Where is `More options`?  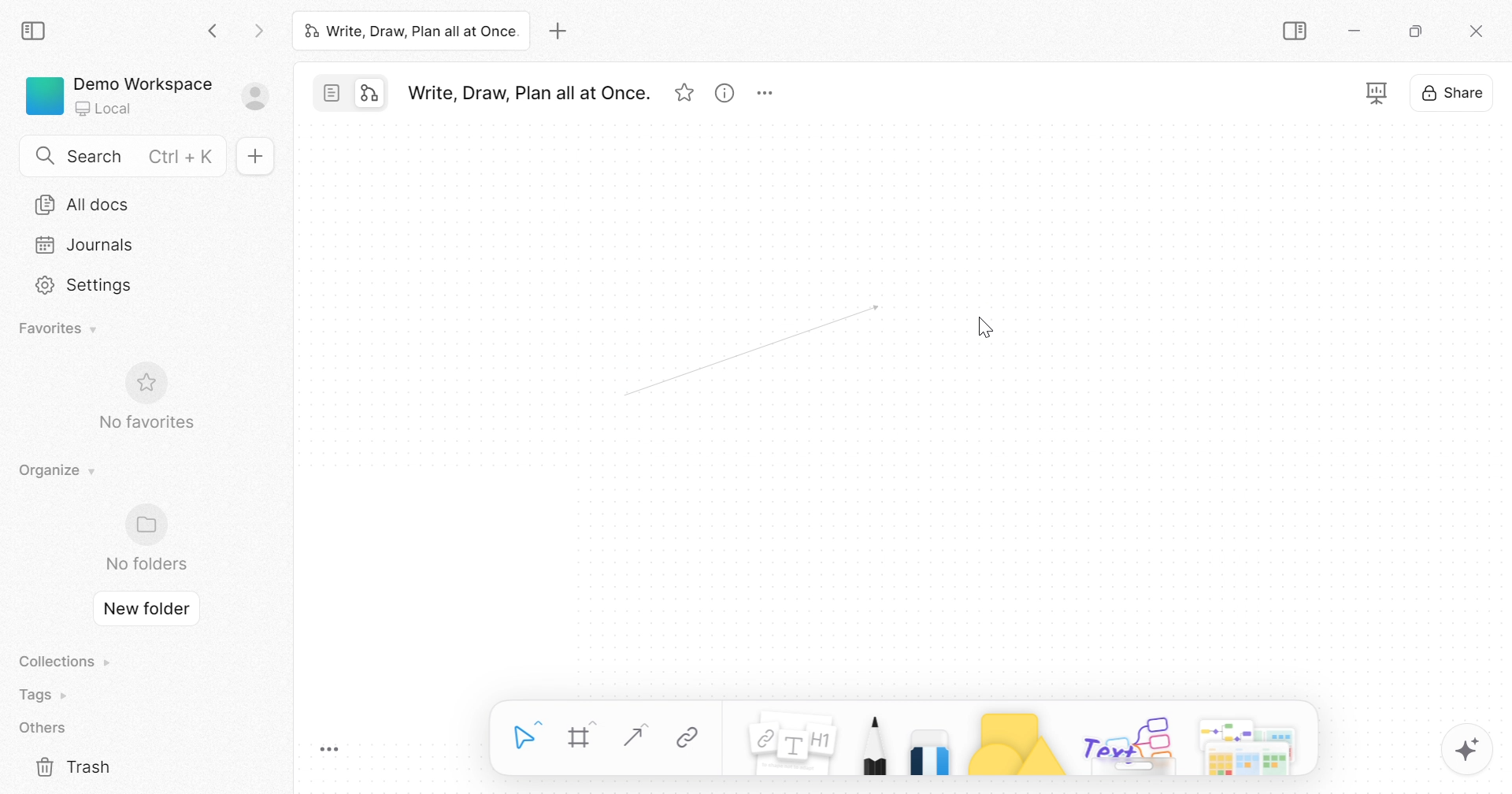
More options is located at coordinates (1250, 743).